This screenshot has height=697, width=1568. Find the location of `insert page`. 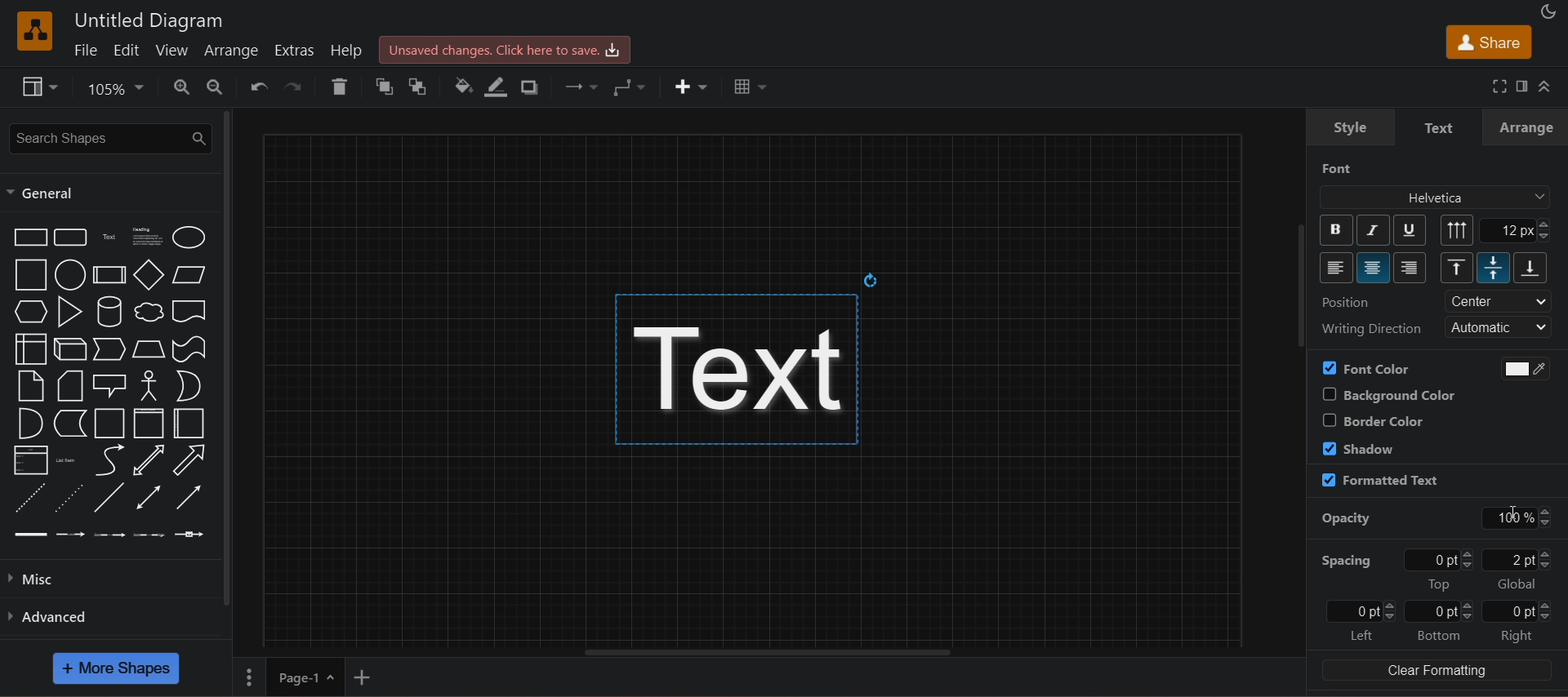

insert page is located at coordinates (362, 677).